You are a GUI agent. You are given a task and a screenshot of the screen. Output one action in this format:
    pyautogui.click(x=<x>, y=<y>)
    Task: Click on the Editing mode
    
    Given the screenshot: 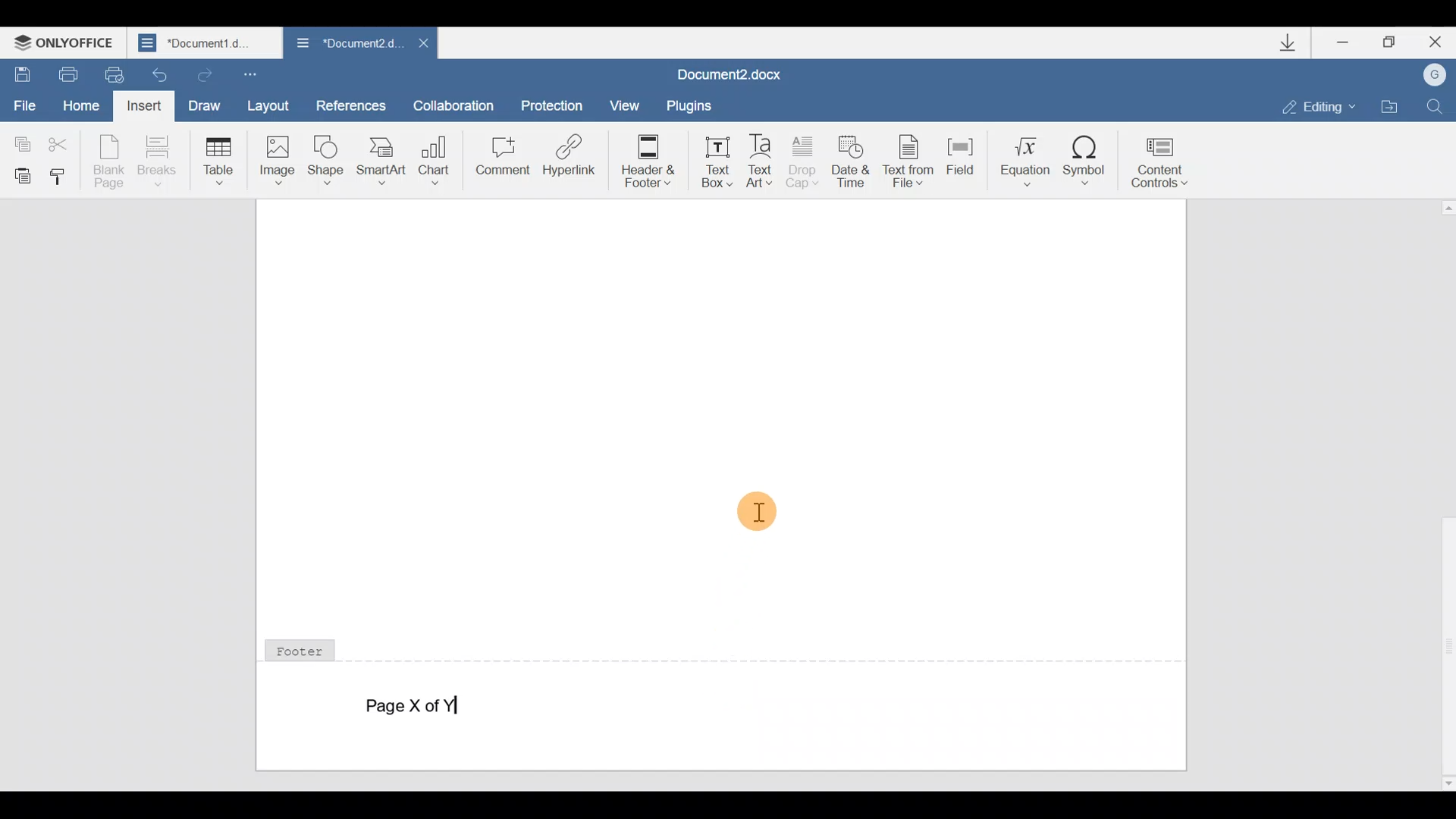 What is the action you would take?
    pyautogui.click(x=1310, y=105)
    